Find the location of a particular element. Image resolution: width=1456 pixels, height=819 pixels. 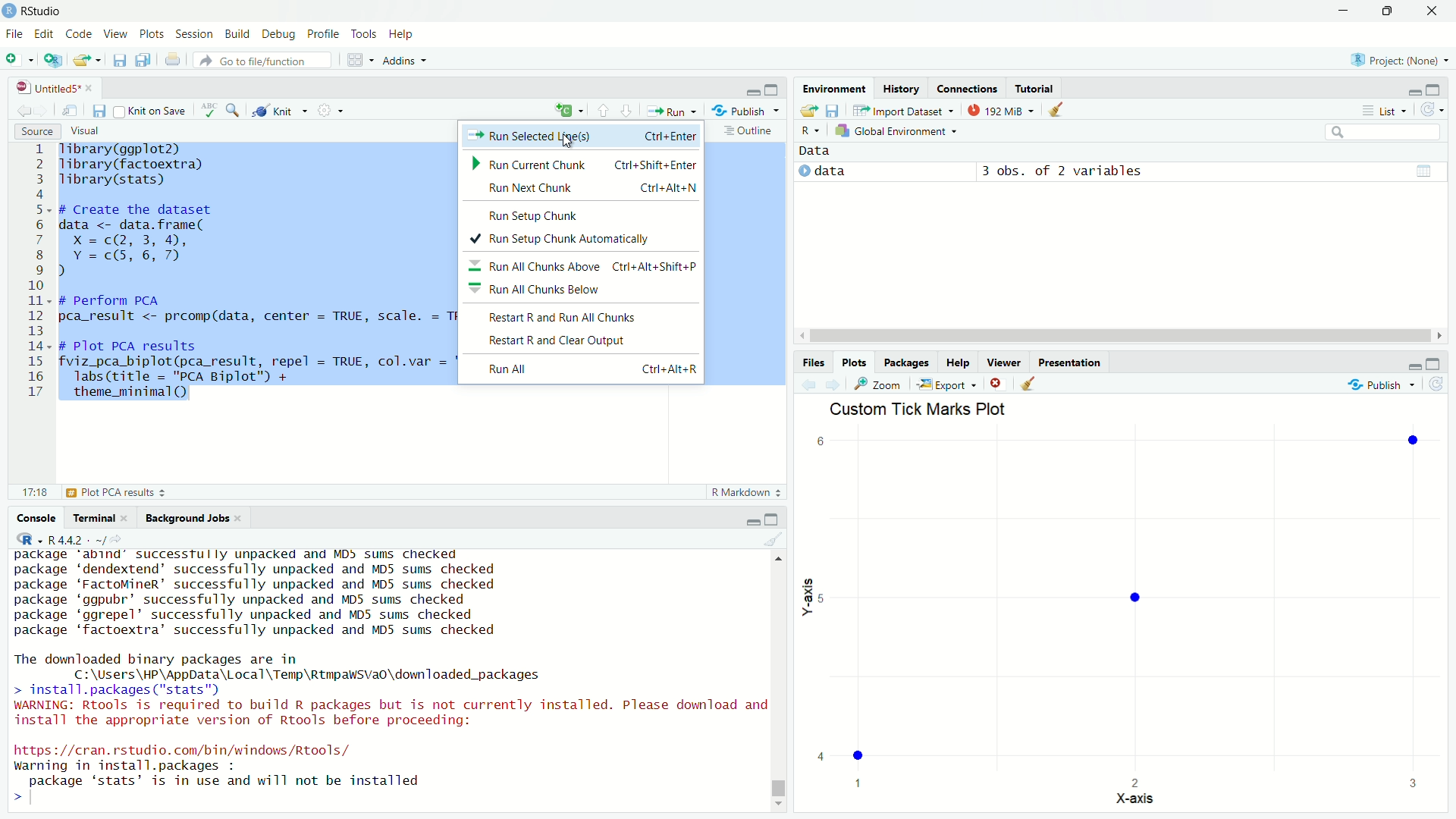

vertical scrollbar is located at coordinates (780, 789).